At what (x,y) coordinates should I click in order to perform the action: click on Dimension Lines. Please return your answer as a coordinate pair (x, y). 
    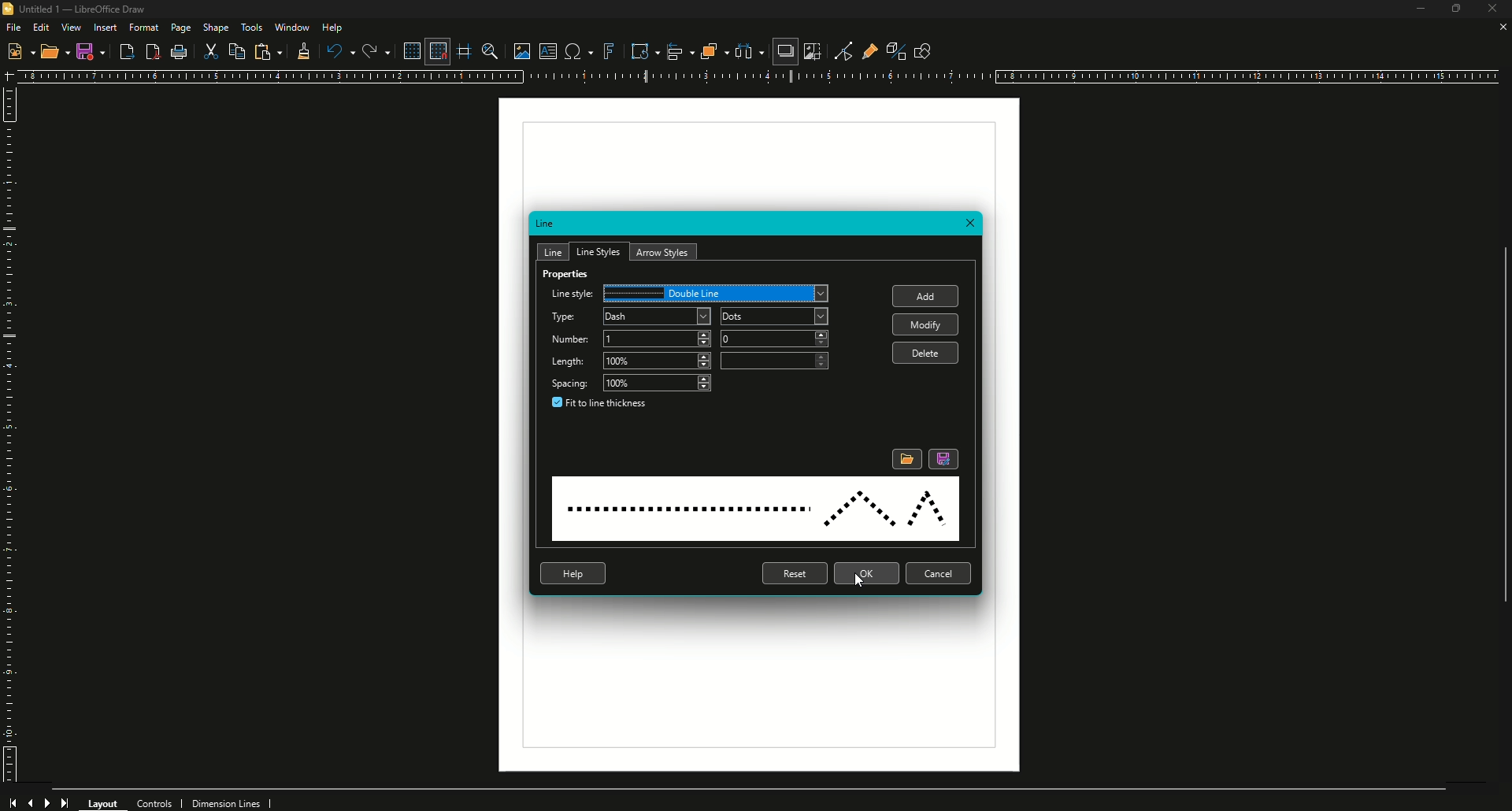
    Looking at the image, I should click on (232, 802).